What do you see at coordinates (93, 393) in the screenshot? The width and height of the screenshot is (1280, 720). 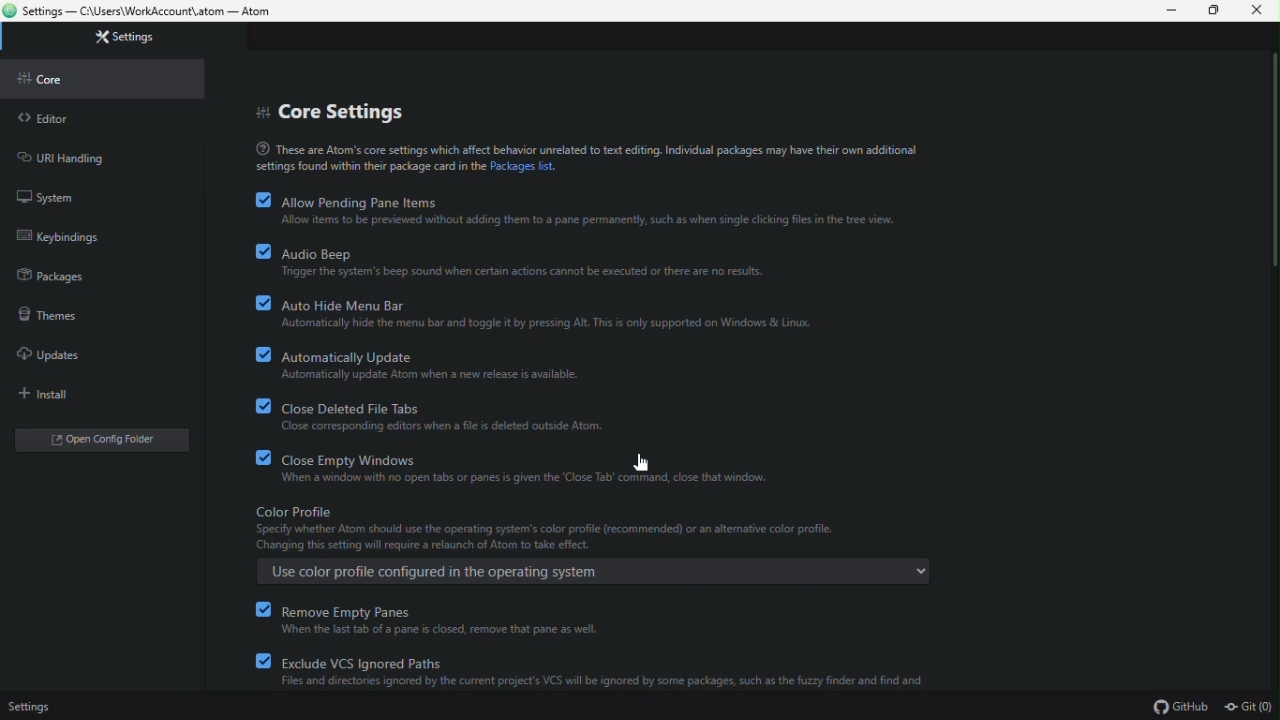 I see `install` at bounding box center [93, 393].